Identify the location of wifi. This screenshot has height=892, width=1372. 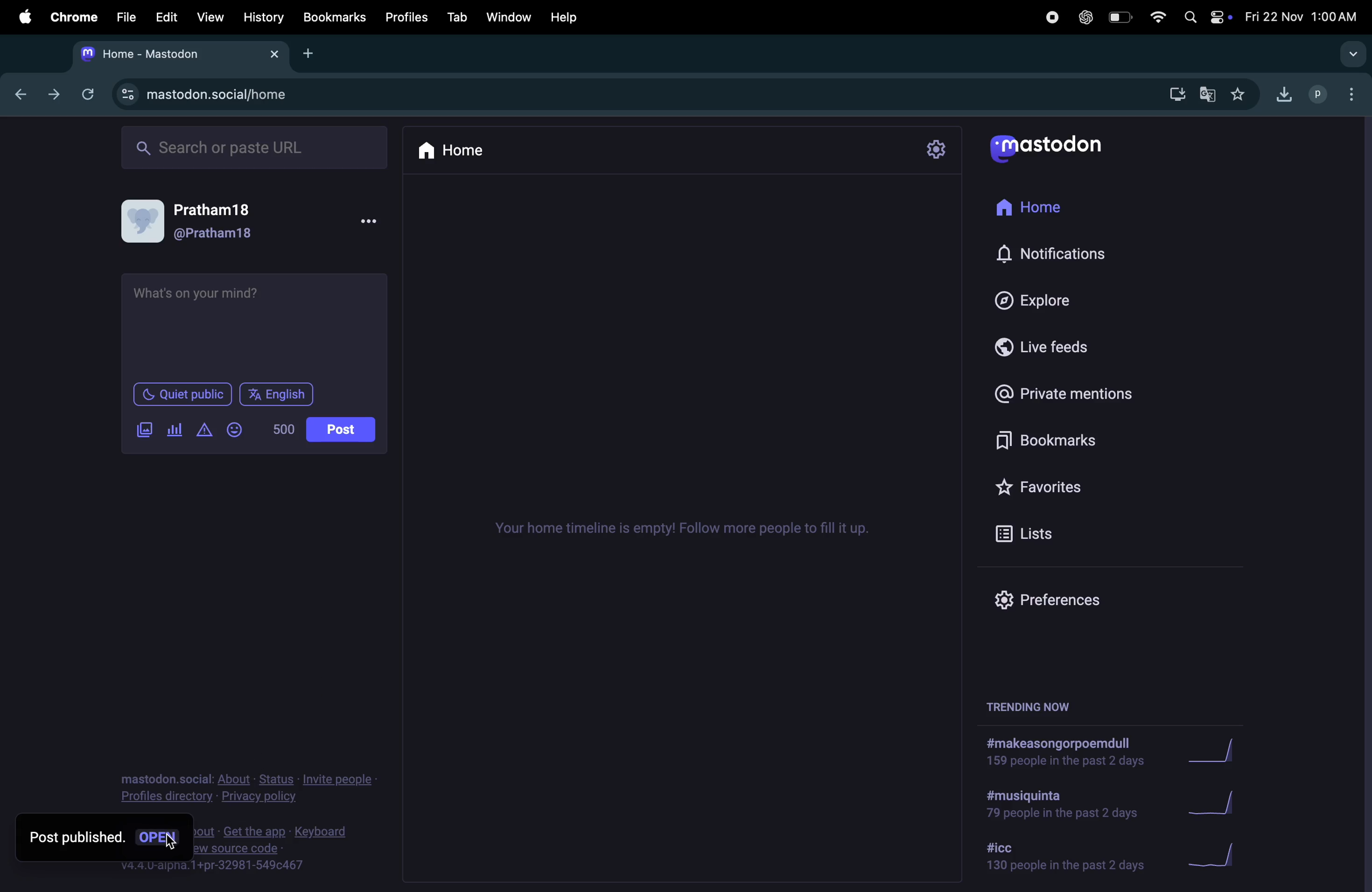
(1155, 17).